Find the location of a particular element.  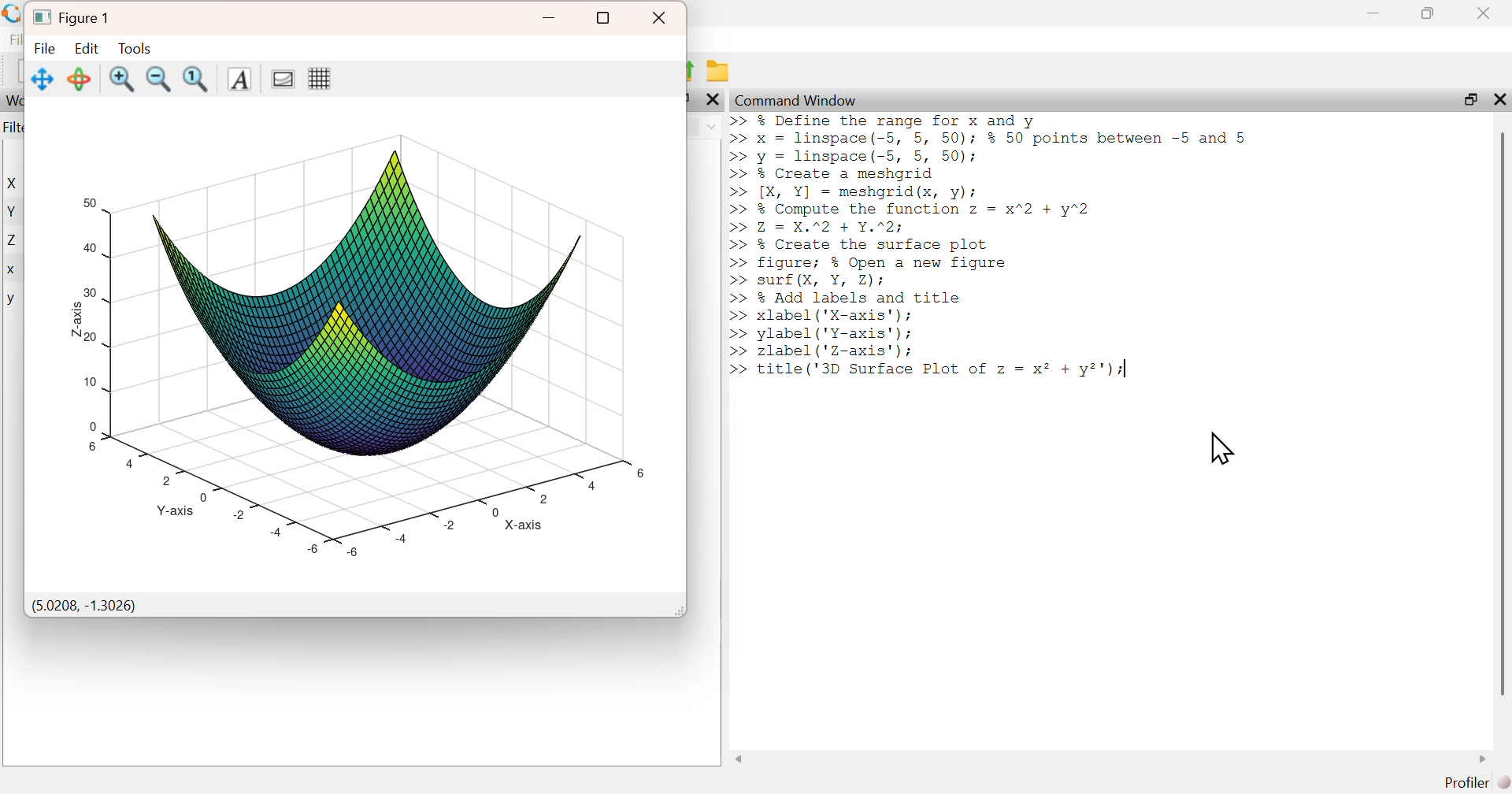

maximize is located at coordinates (1469, 98).